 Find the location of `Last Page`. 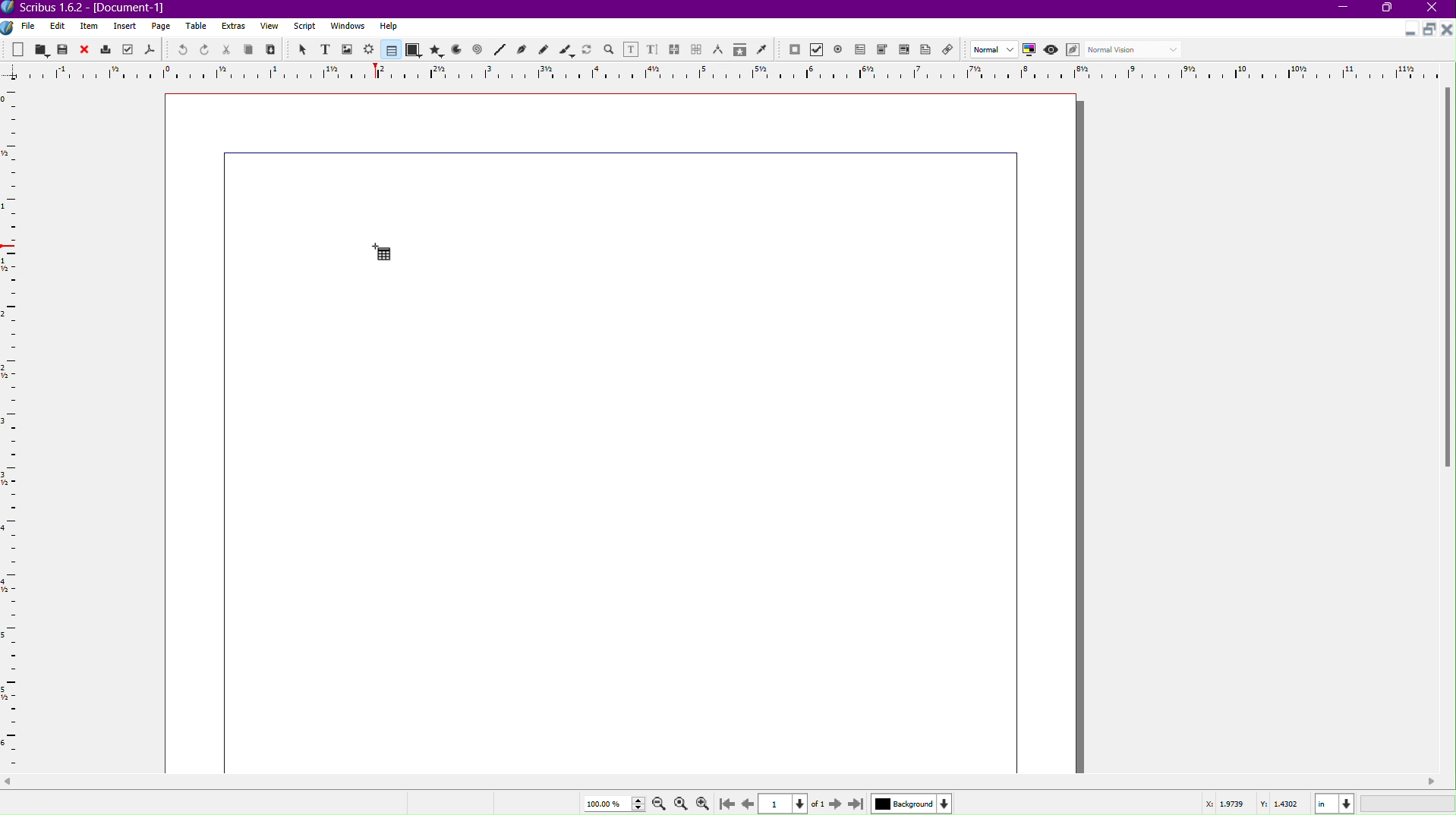

Last Page is located at coordinates (857, 803).